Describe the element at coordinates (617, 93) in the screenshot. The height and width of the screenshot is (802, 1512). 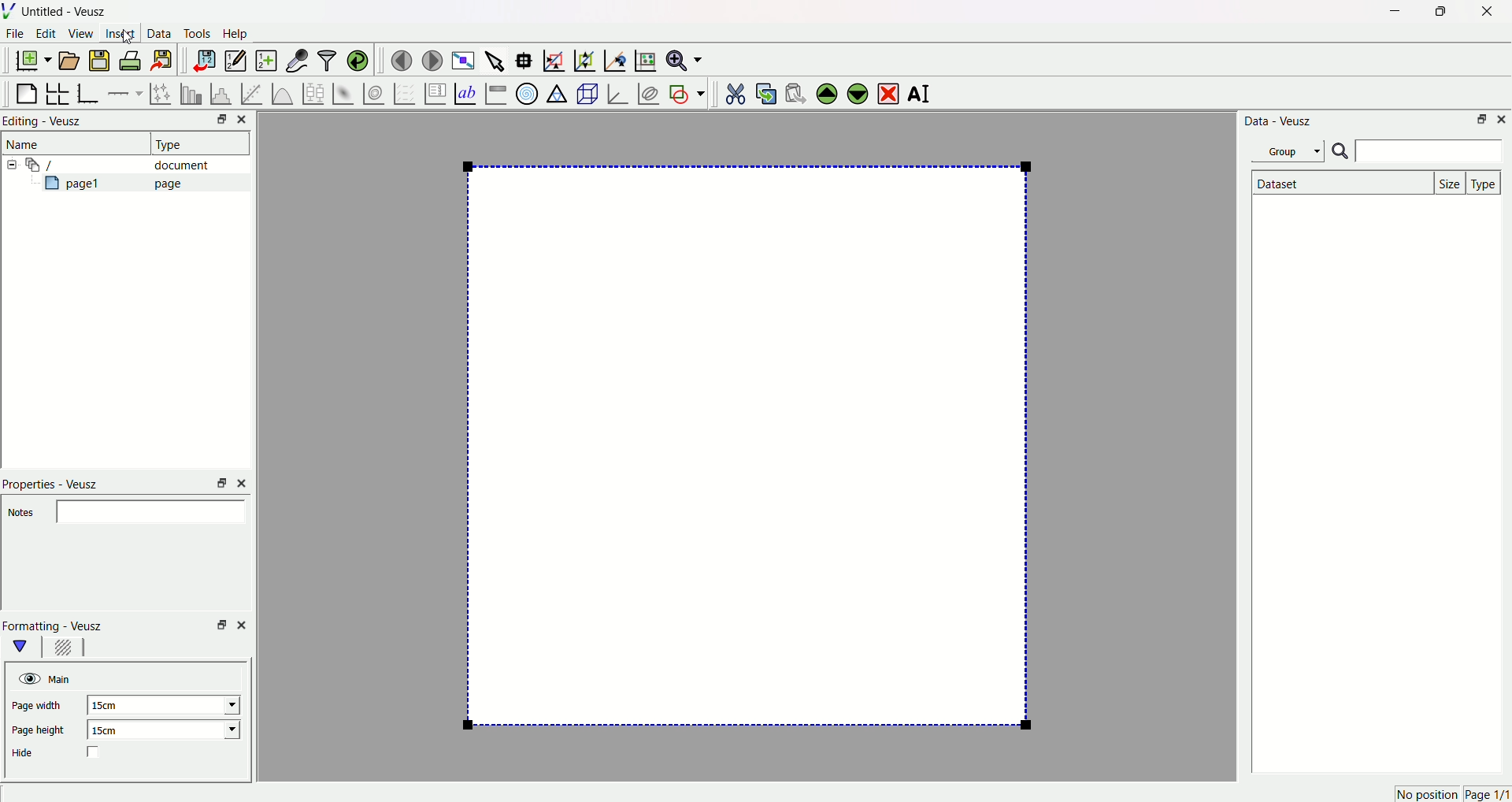
I see `3d graphs` at that location.